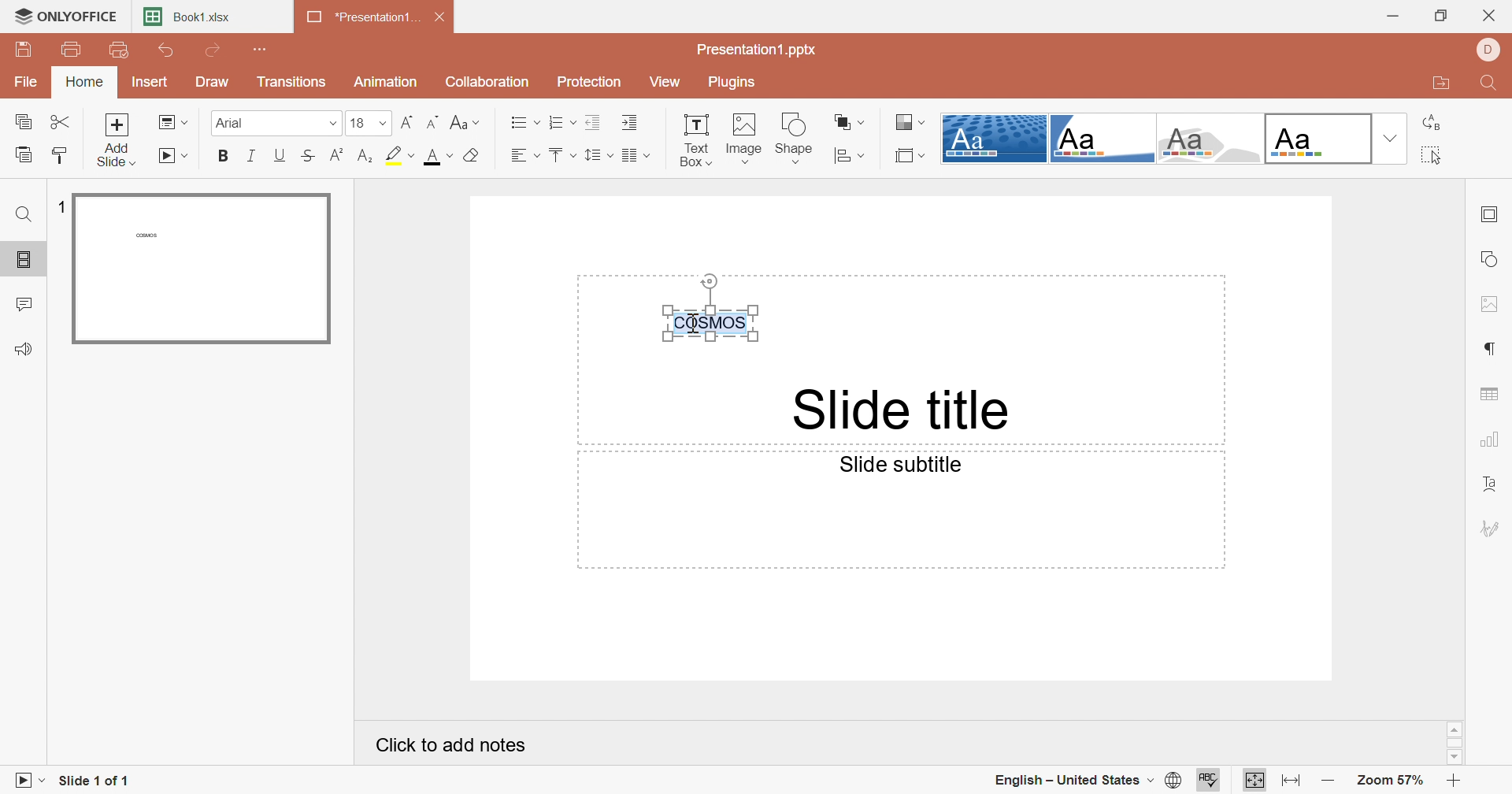  What do you see at coordinates (1492, 86) in the screenshot?
I see `Find` at bounding box center [1492, 86].